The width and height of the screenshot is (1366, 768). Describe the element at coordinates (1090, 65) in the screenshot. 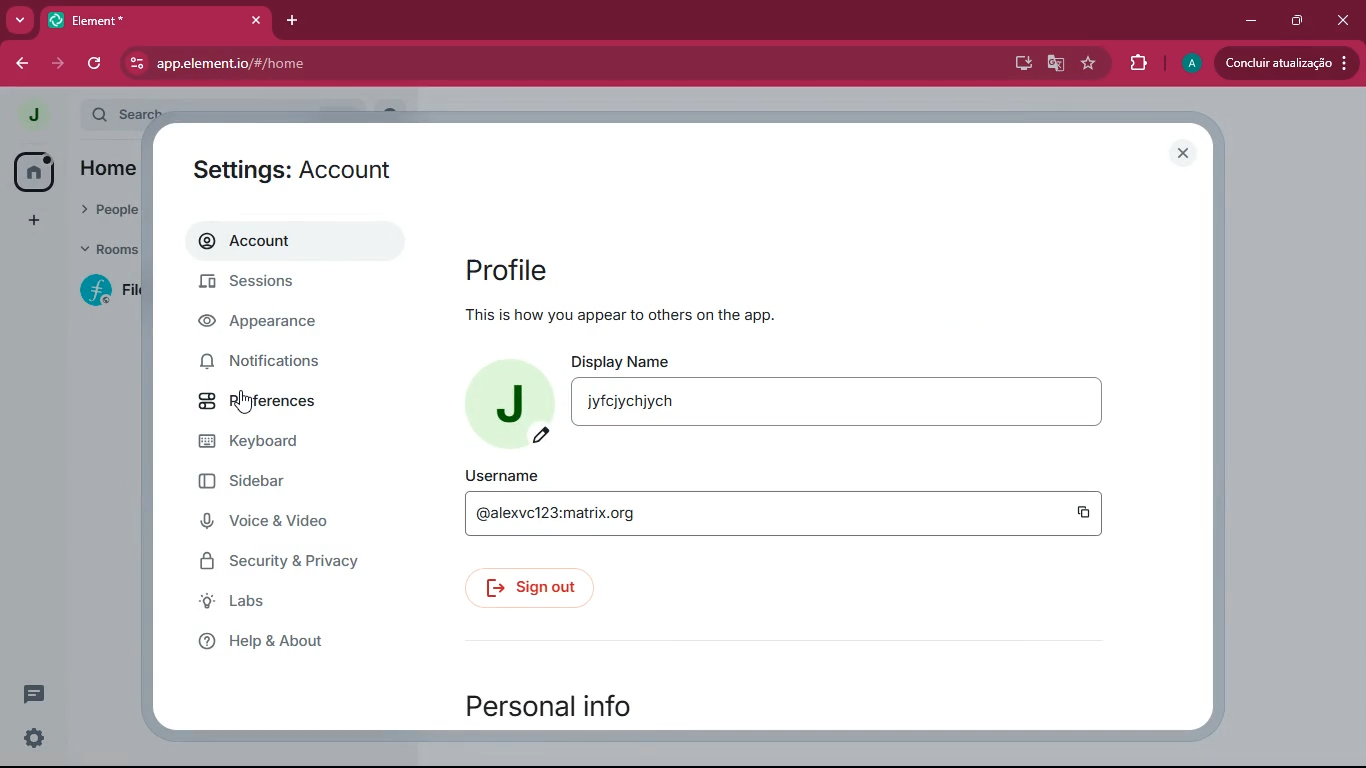

I see `favourite` at that location.